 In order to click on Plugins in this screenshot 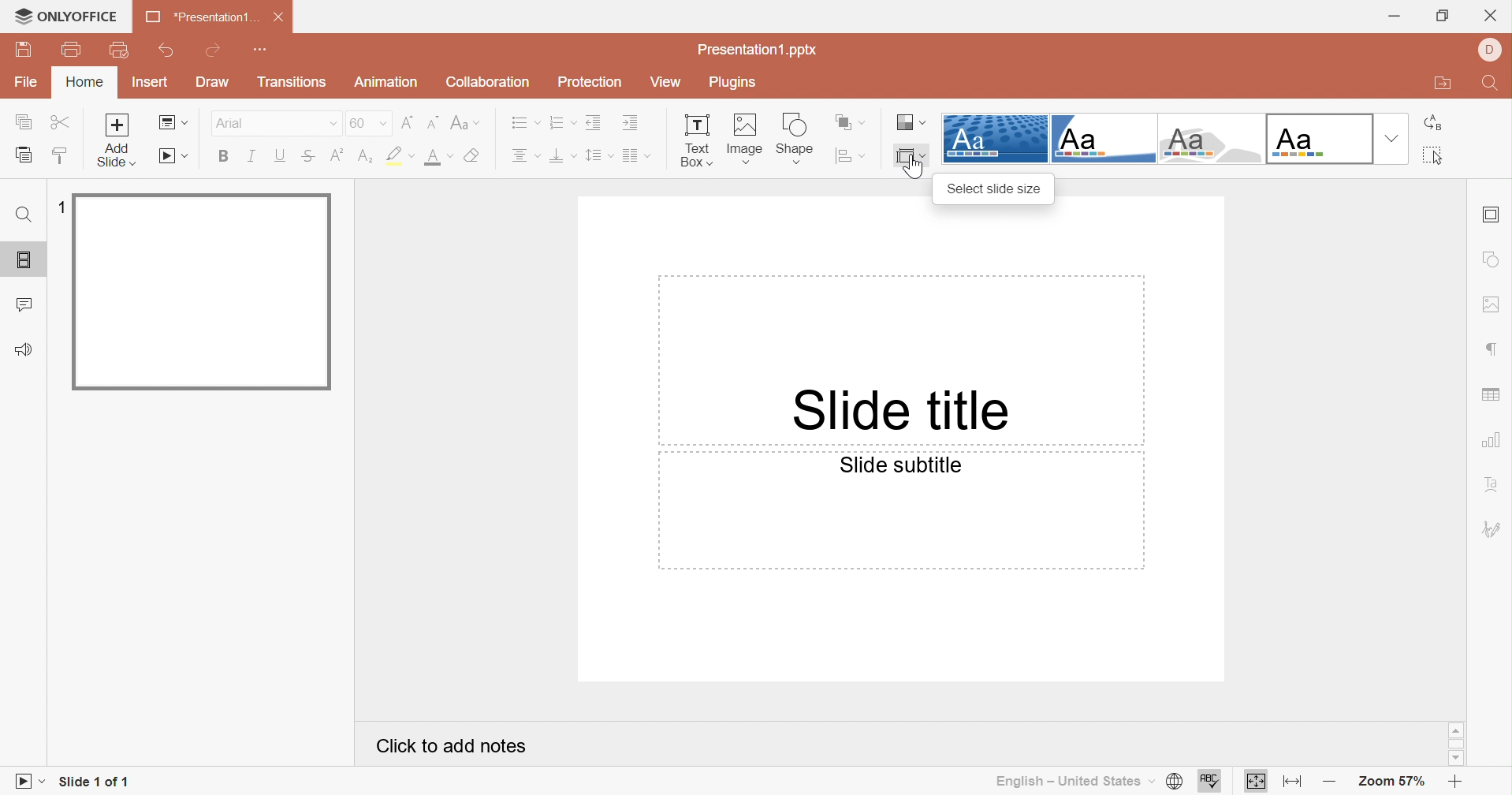, I will do `click(736, 80)`.